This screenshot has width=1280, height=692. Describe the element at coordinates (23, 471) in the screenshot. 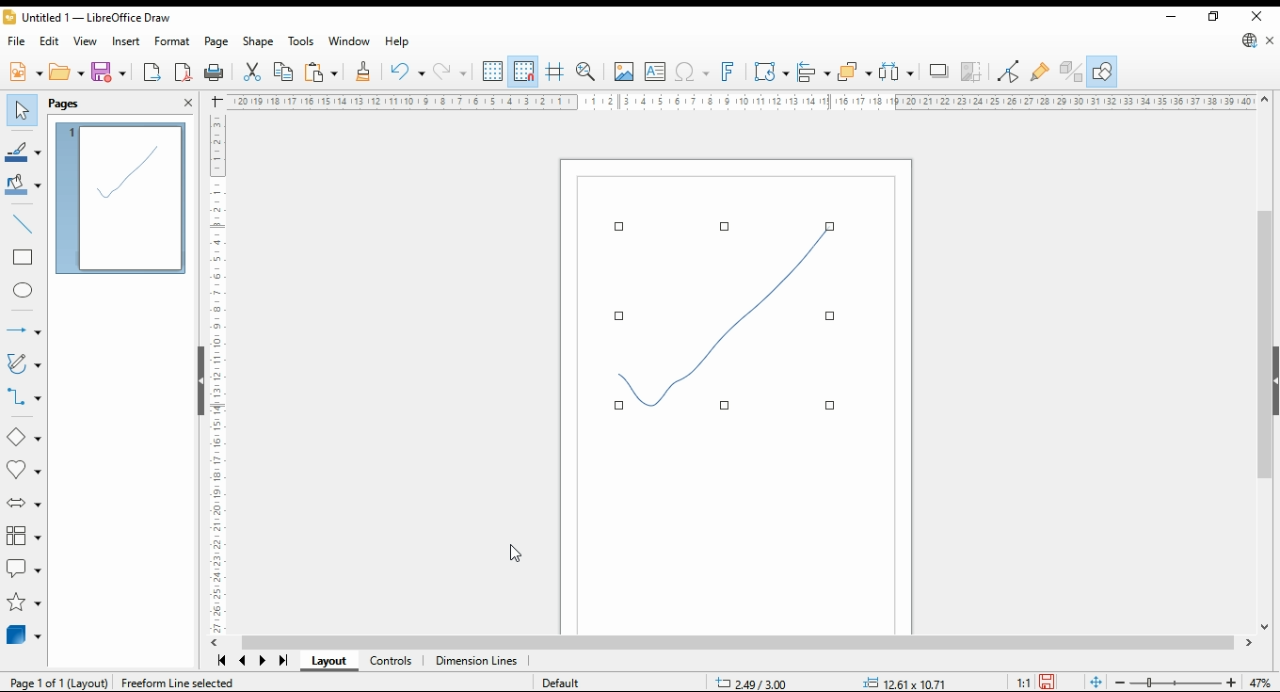

I see `symbol shapes` at that location.